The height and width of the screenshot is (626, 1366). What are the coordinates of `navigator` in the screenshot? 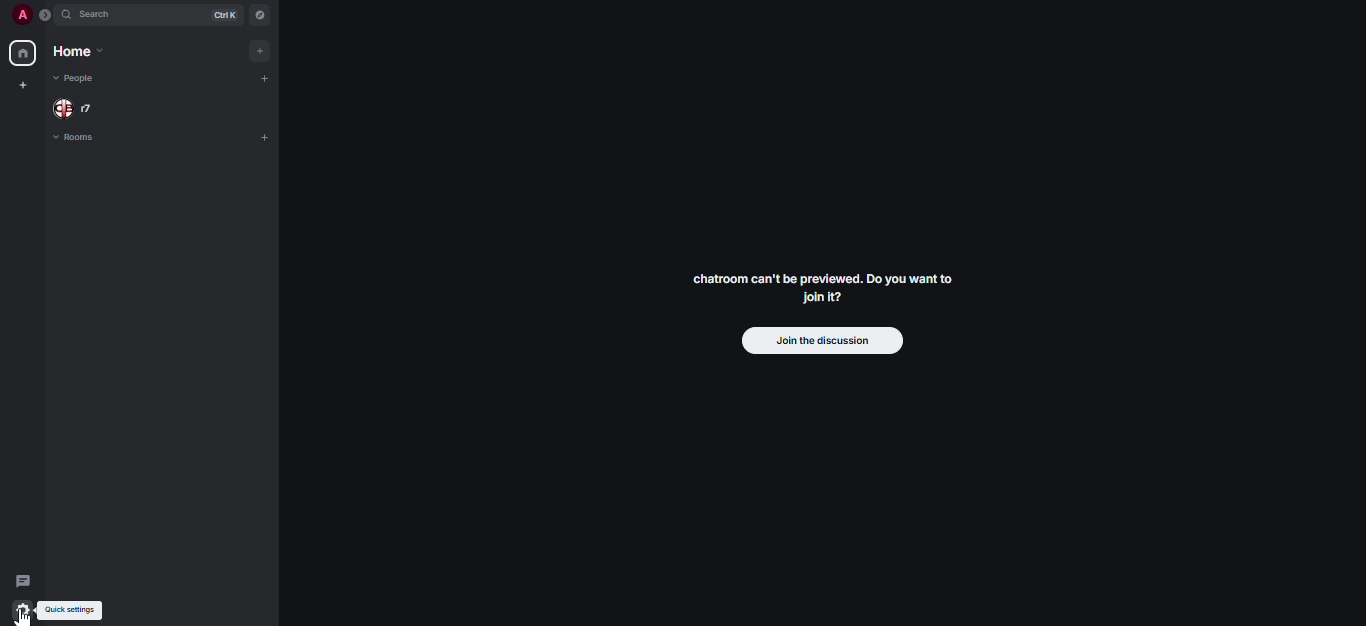 It's located at (262, 12).